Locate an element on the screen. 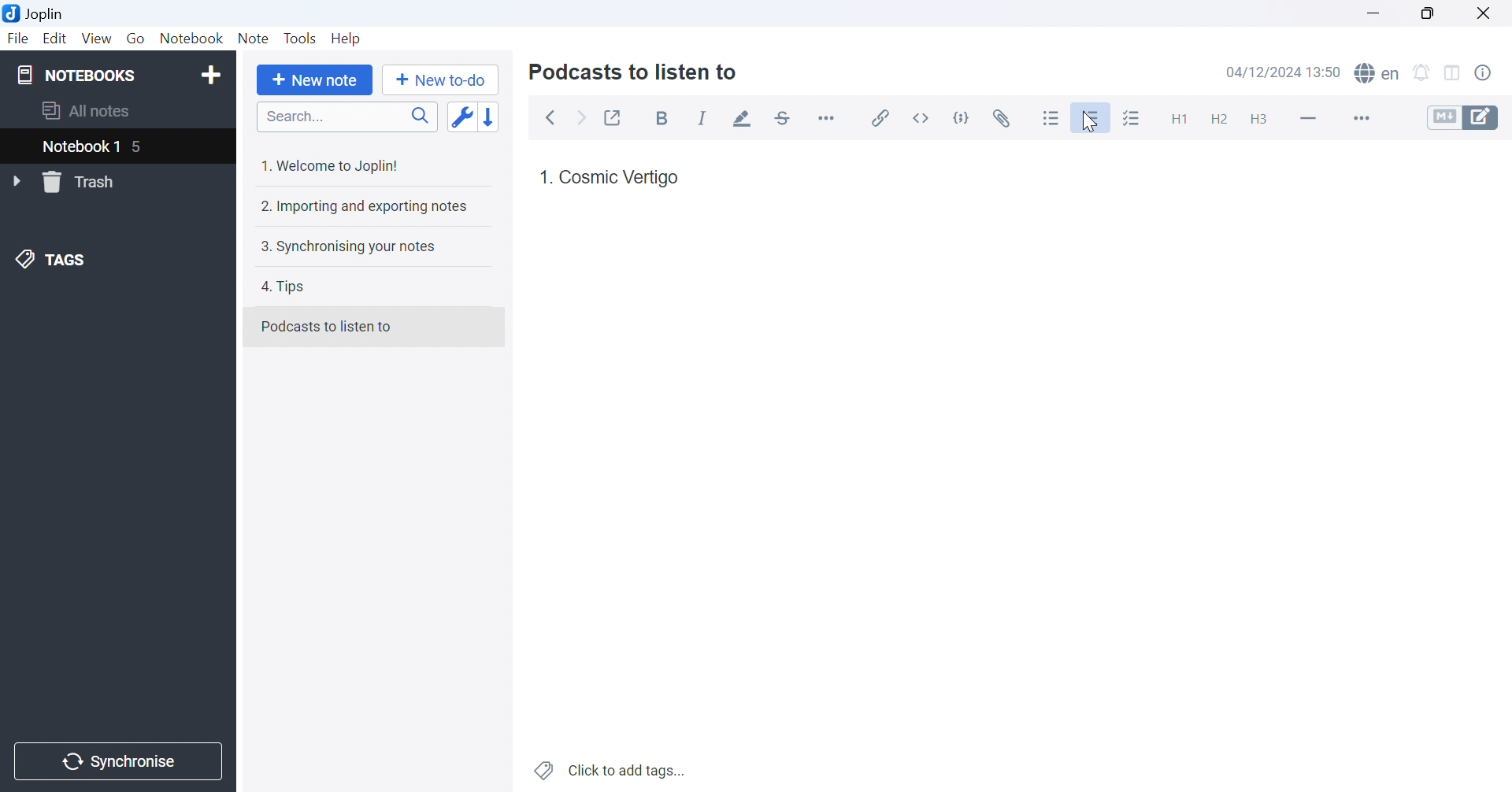  Help is located at coordinates (350, 39).